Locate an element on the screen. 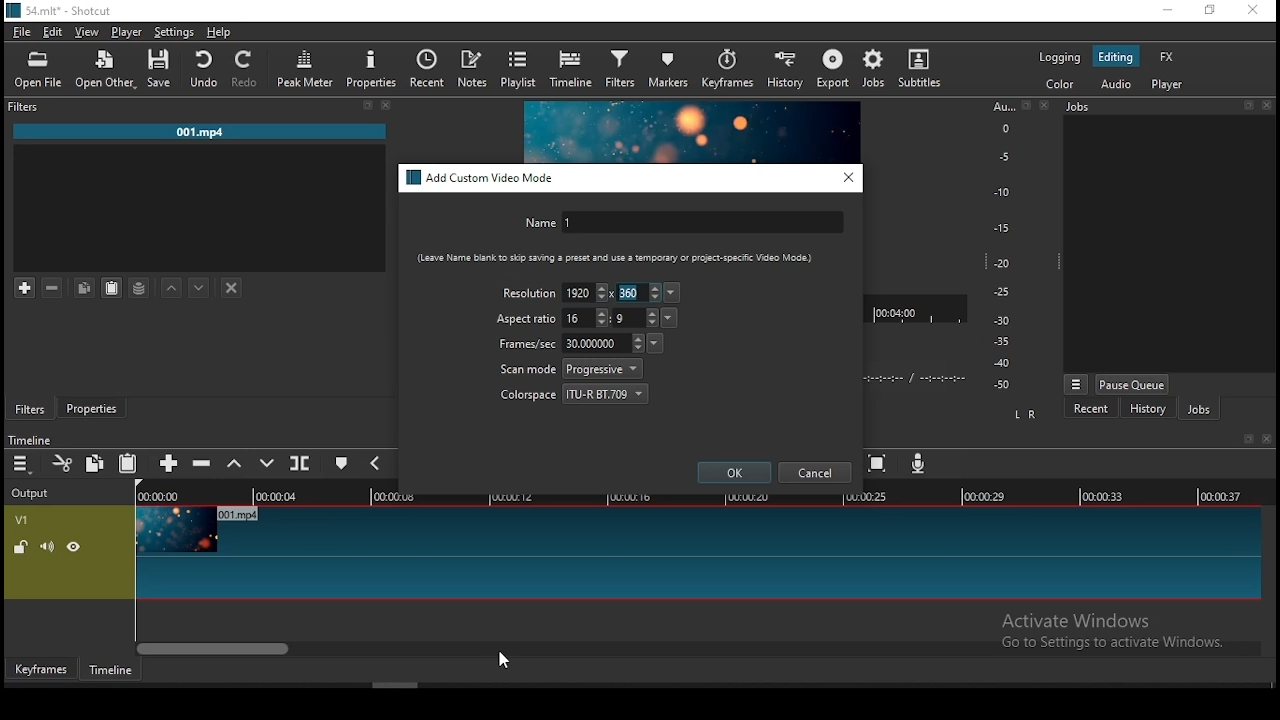 The width and height of the screenshot is (1280, 720). -40 is located at coordinates (1002, 363).